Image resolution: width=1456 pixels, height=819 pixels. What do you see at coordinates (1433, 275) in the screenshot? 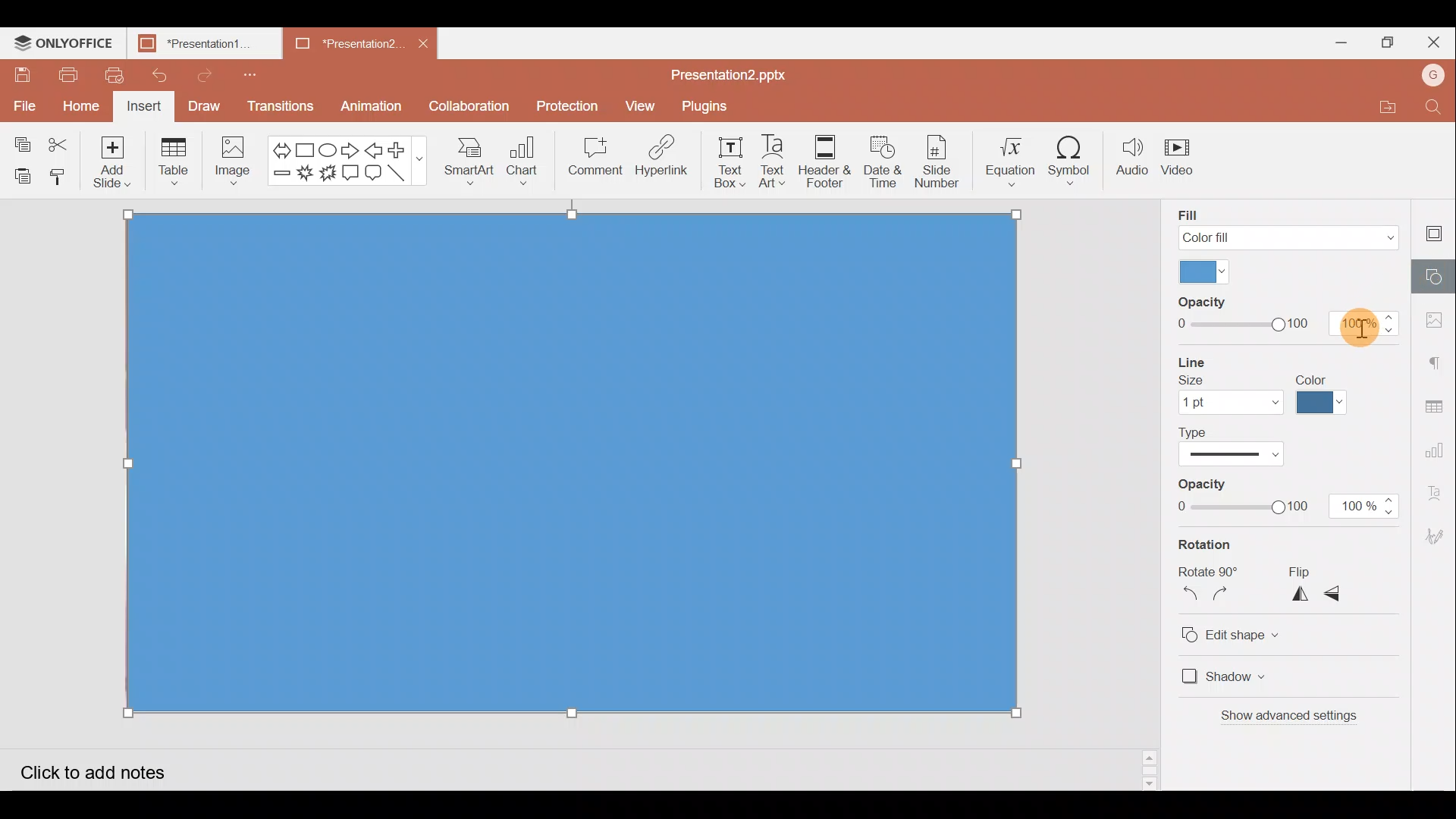
I see `Shape settings` at bounding box center [1433, 275].